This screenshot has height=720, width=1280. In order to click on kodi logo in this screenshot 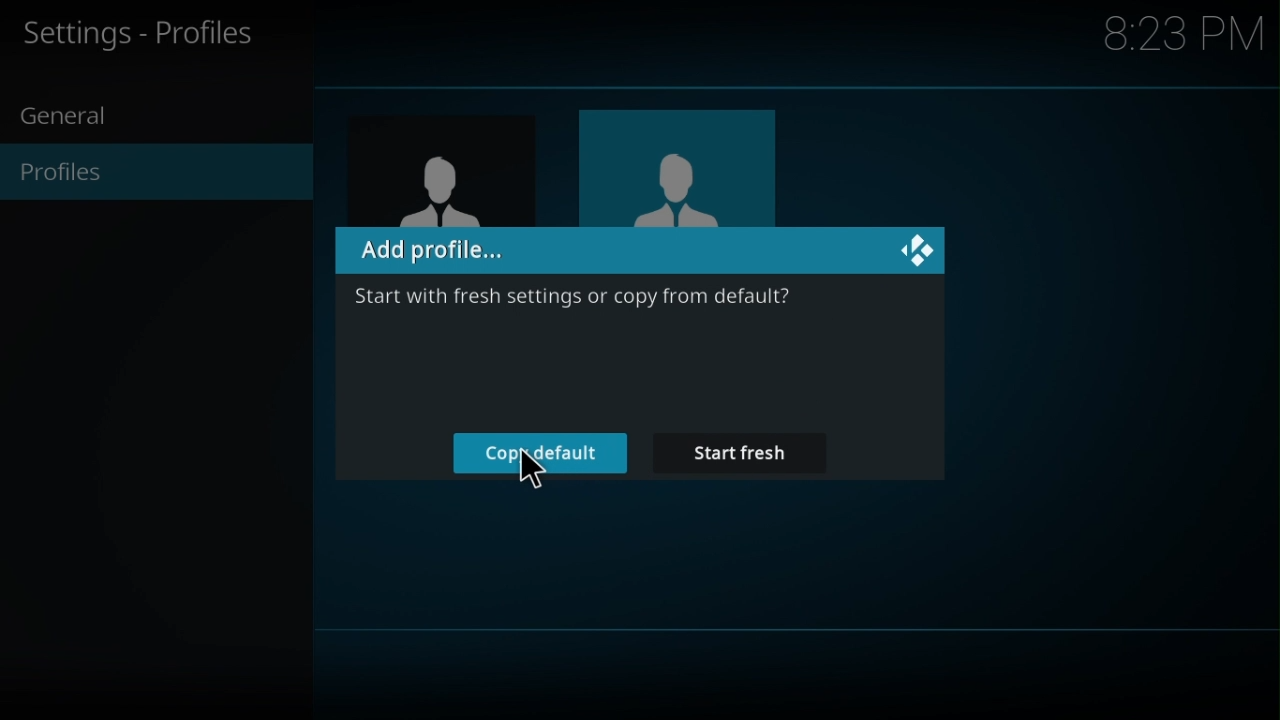, I will do `click(914, 251)`.